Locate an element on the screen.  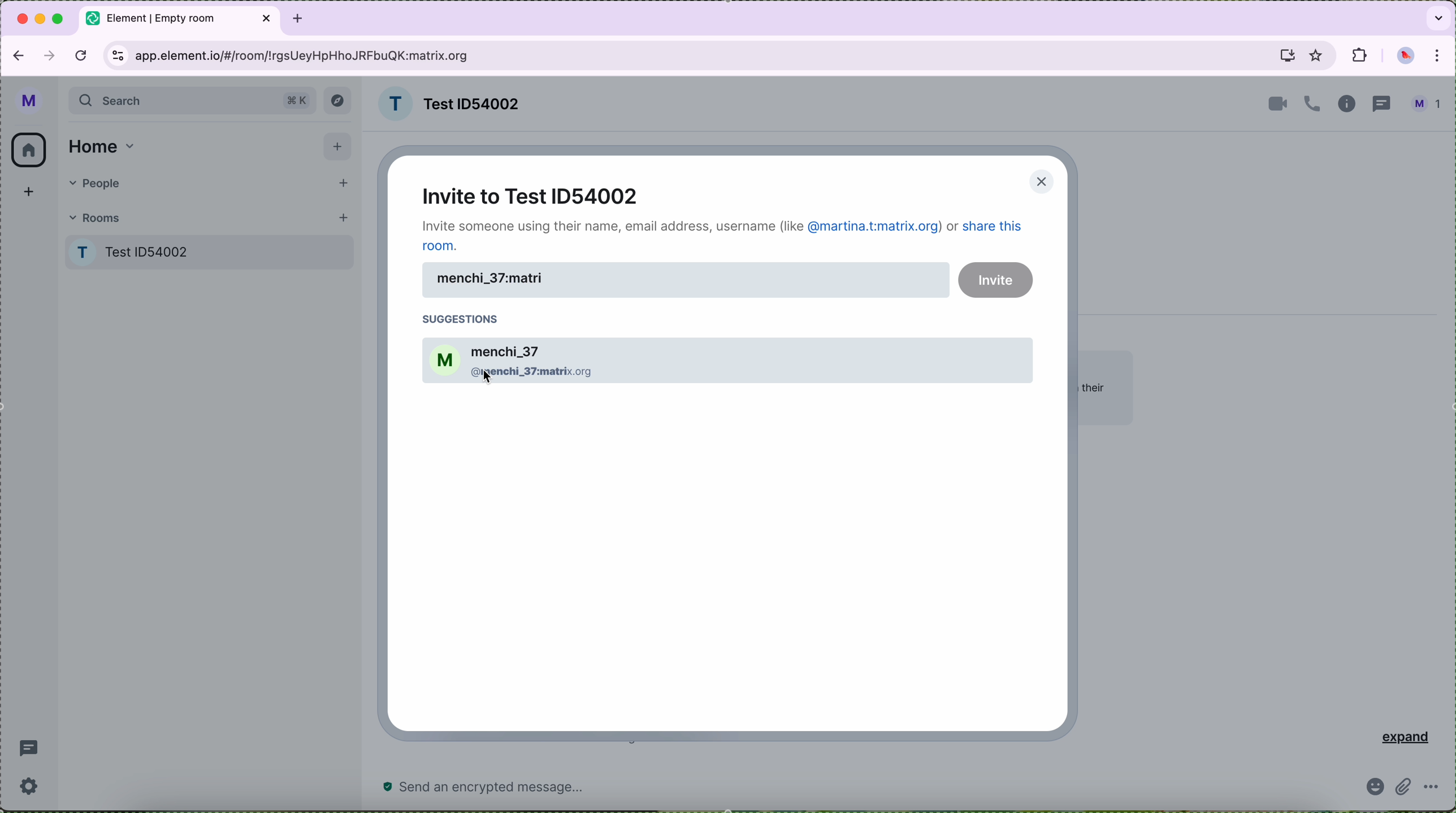
username is located at coordinates (686, 280).